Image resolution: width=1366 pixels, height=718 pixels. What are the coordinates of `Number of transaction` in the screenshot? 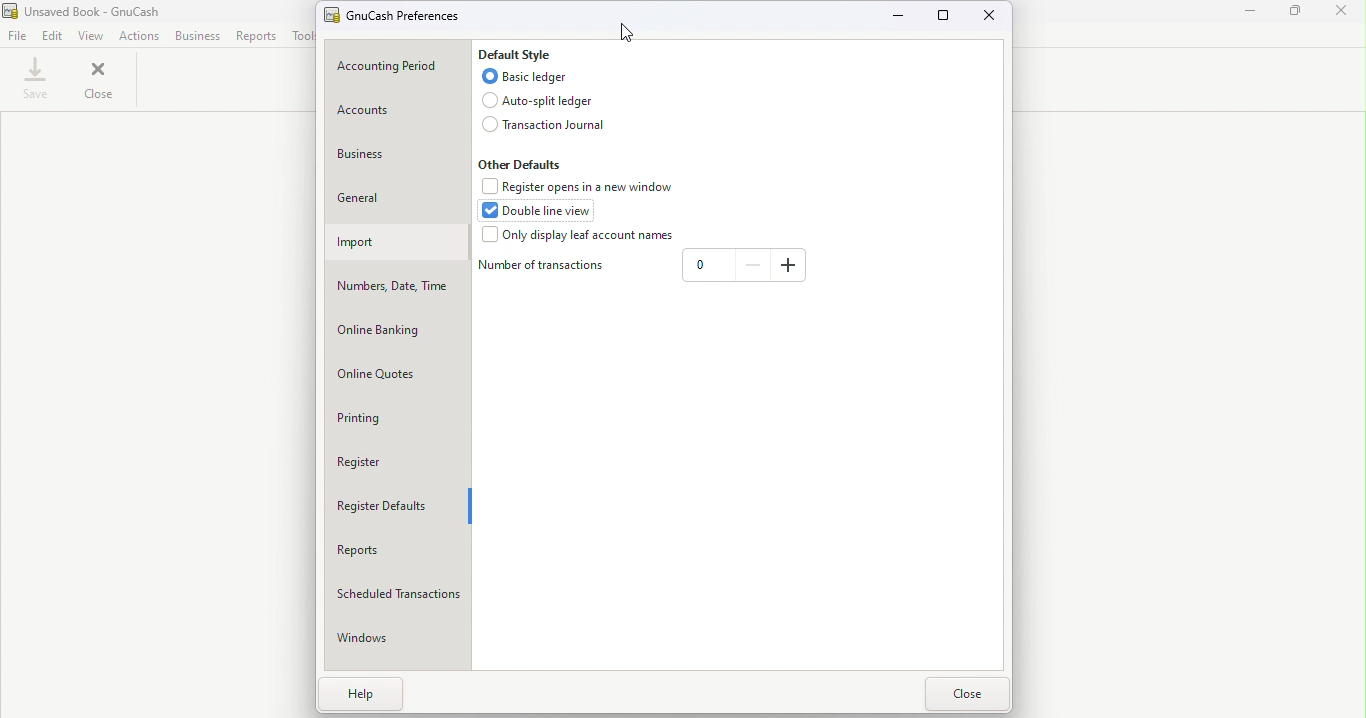 It's located at (543, 266).